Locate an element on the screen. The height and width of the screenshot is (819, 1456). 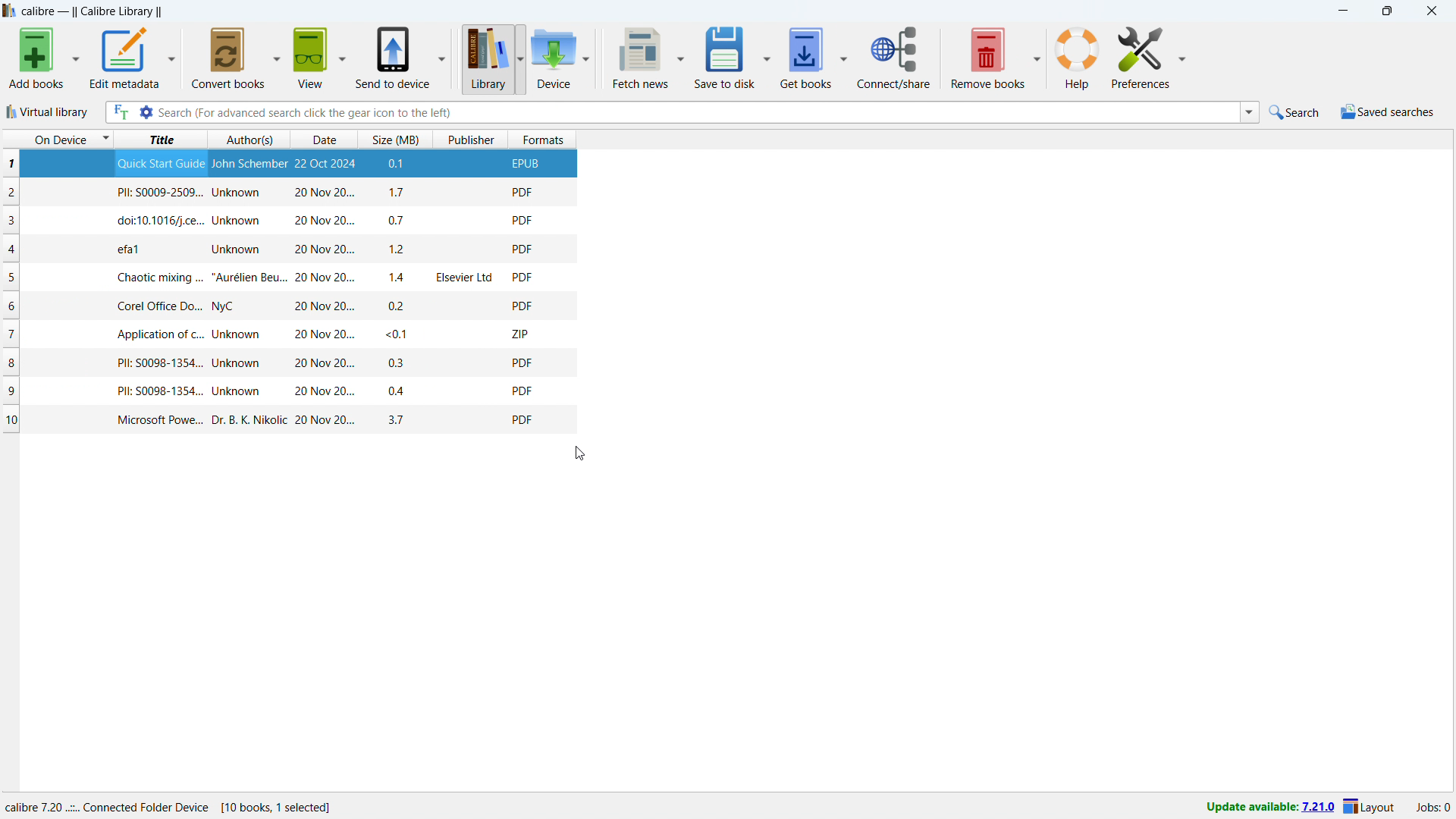
preferences options is located at coordinates (1188, 56).